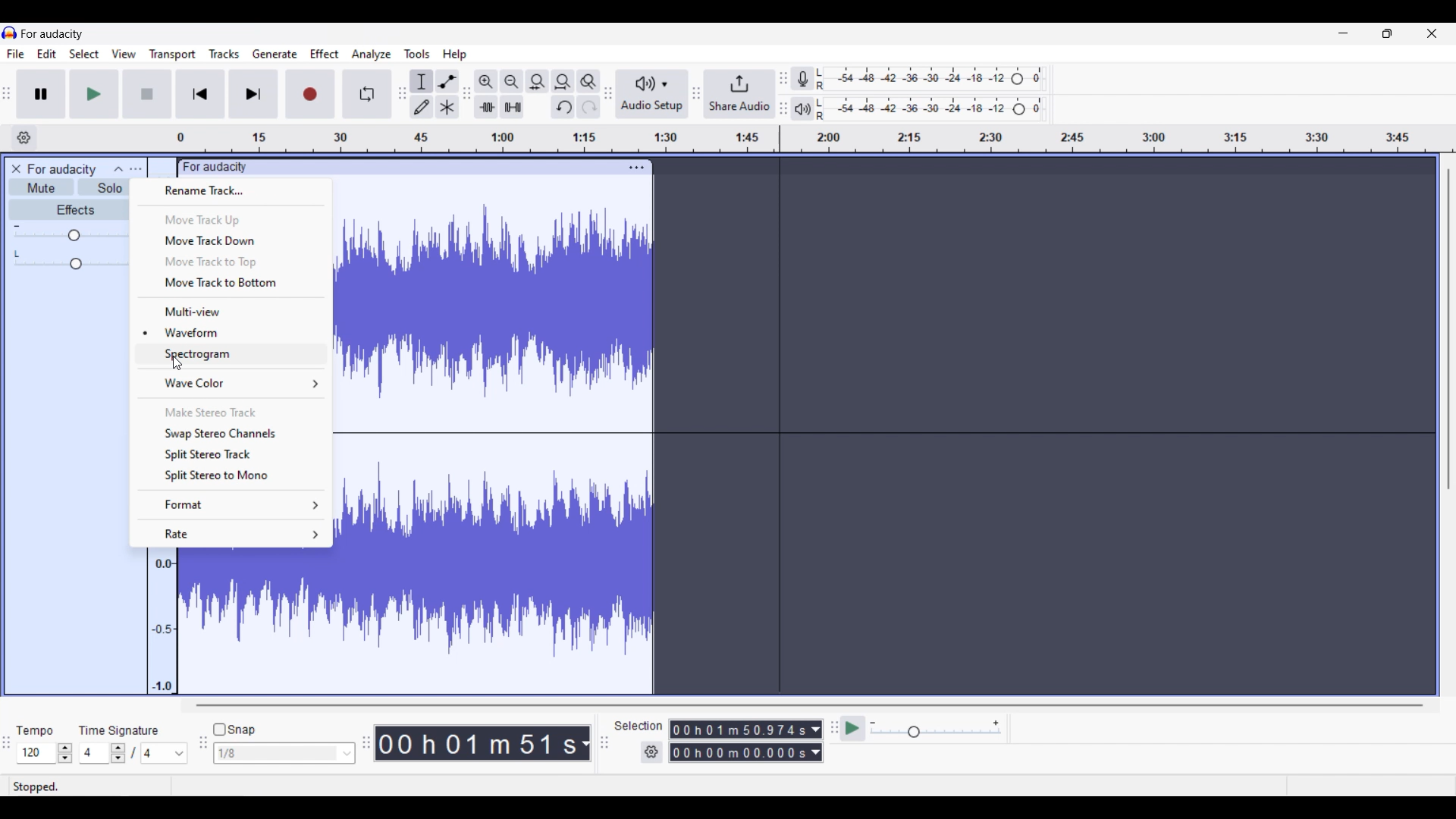 The height and width of the screenshot is (819, 1456). Describe the element at coordinates (234, 534) in the screenshot. I see `Rate options` at that location.